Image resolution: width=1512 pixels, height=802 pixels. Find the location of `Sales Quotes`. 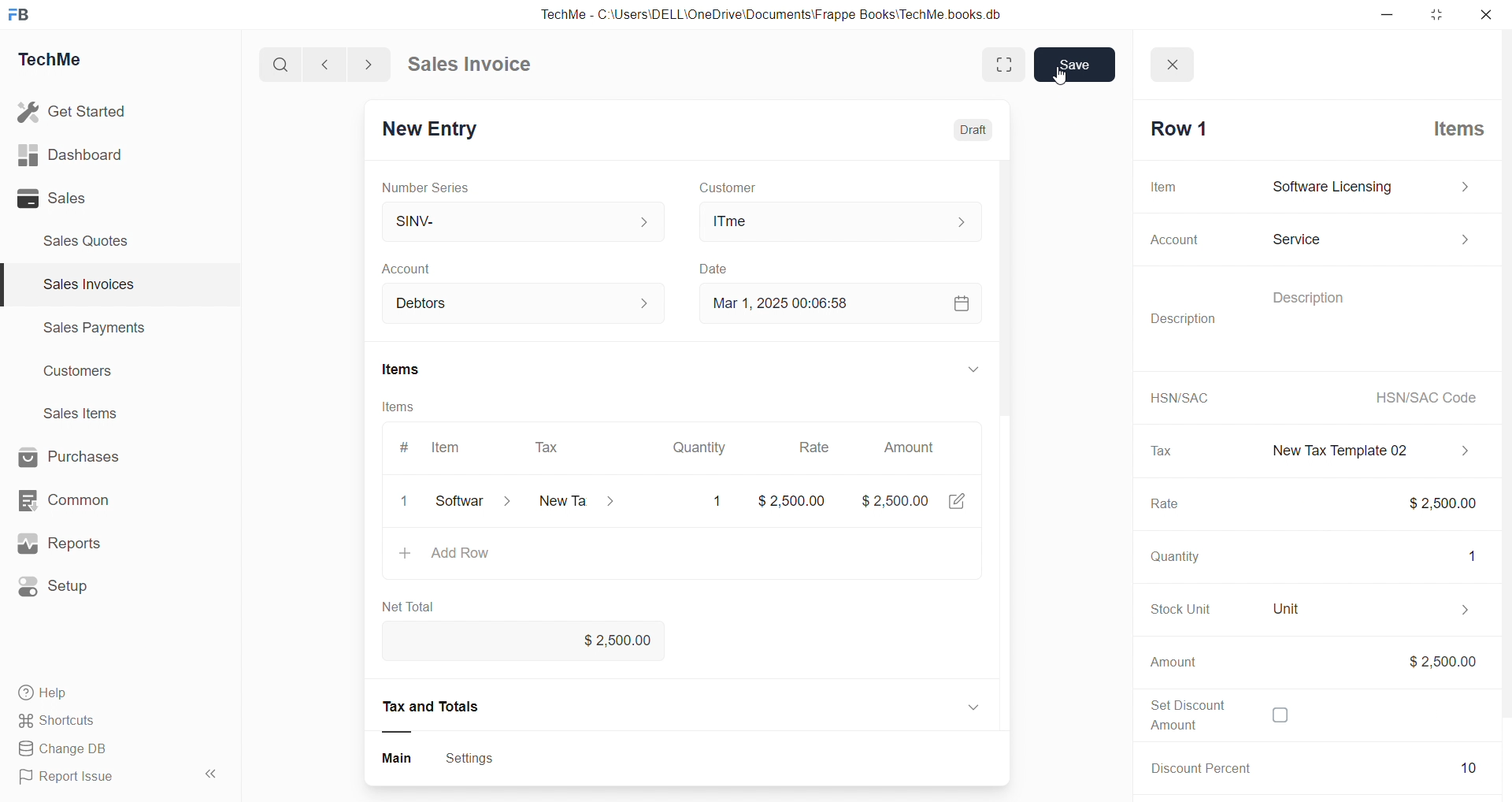

Sales Quotes is located at coordinates (92, 240).